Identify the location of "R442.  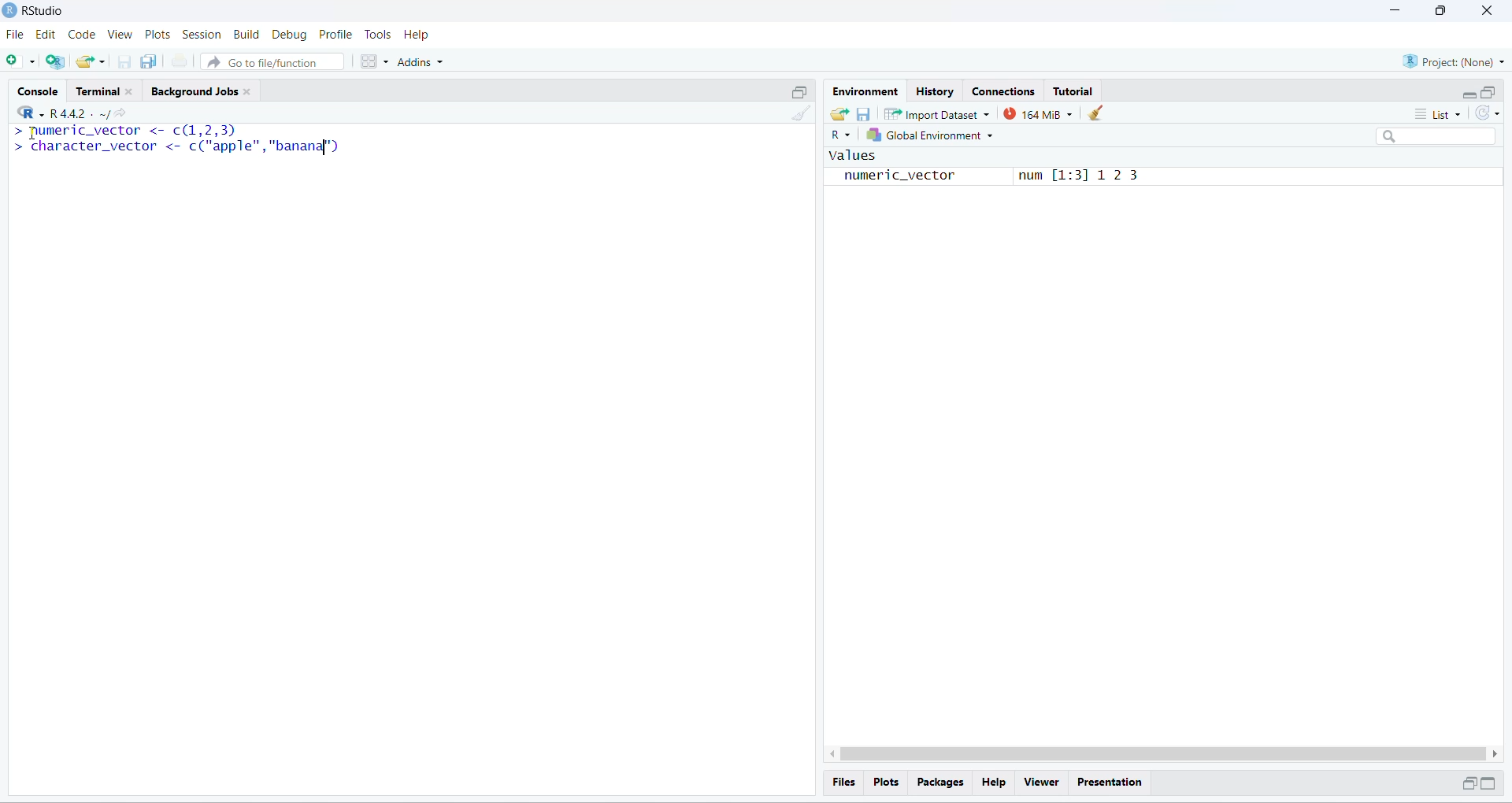
(51, 113).